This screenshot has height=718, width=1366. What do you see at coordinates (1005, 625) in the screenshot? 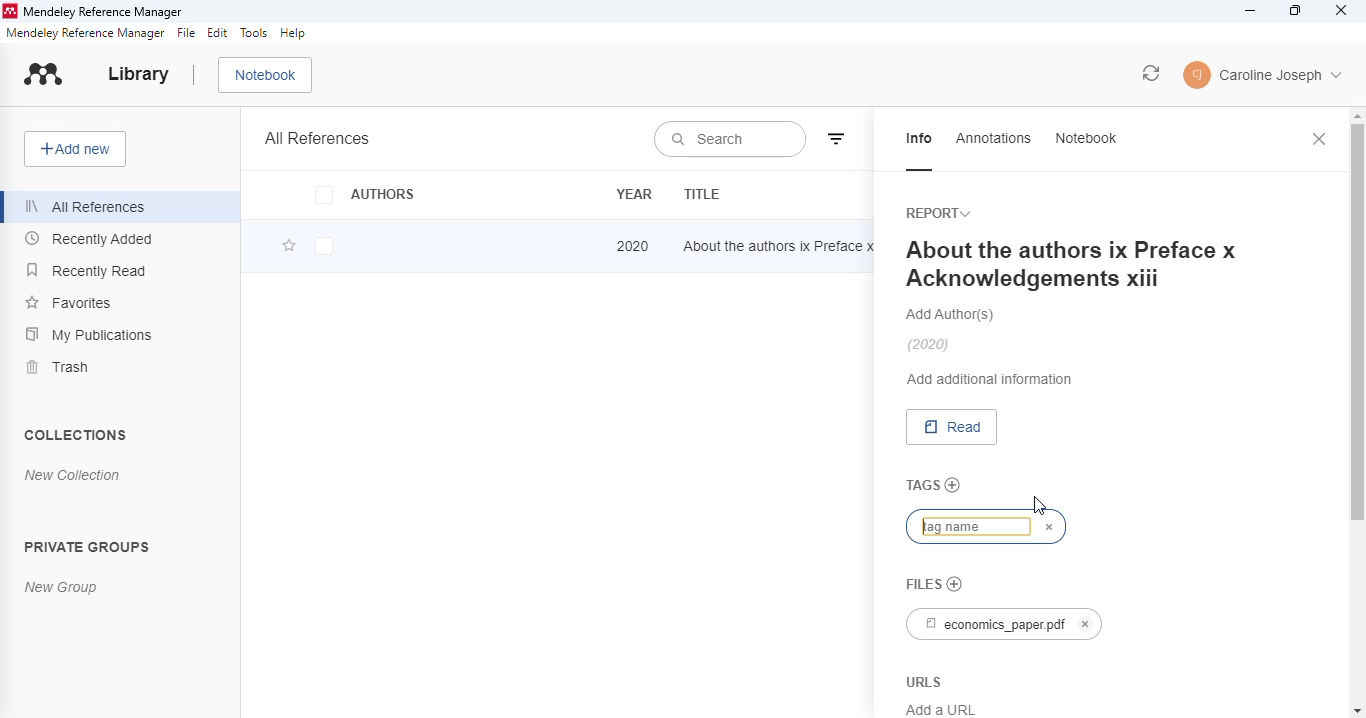
I see `economics_paper.pdf` at bounding box center [1005, 625].